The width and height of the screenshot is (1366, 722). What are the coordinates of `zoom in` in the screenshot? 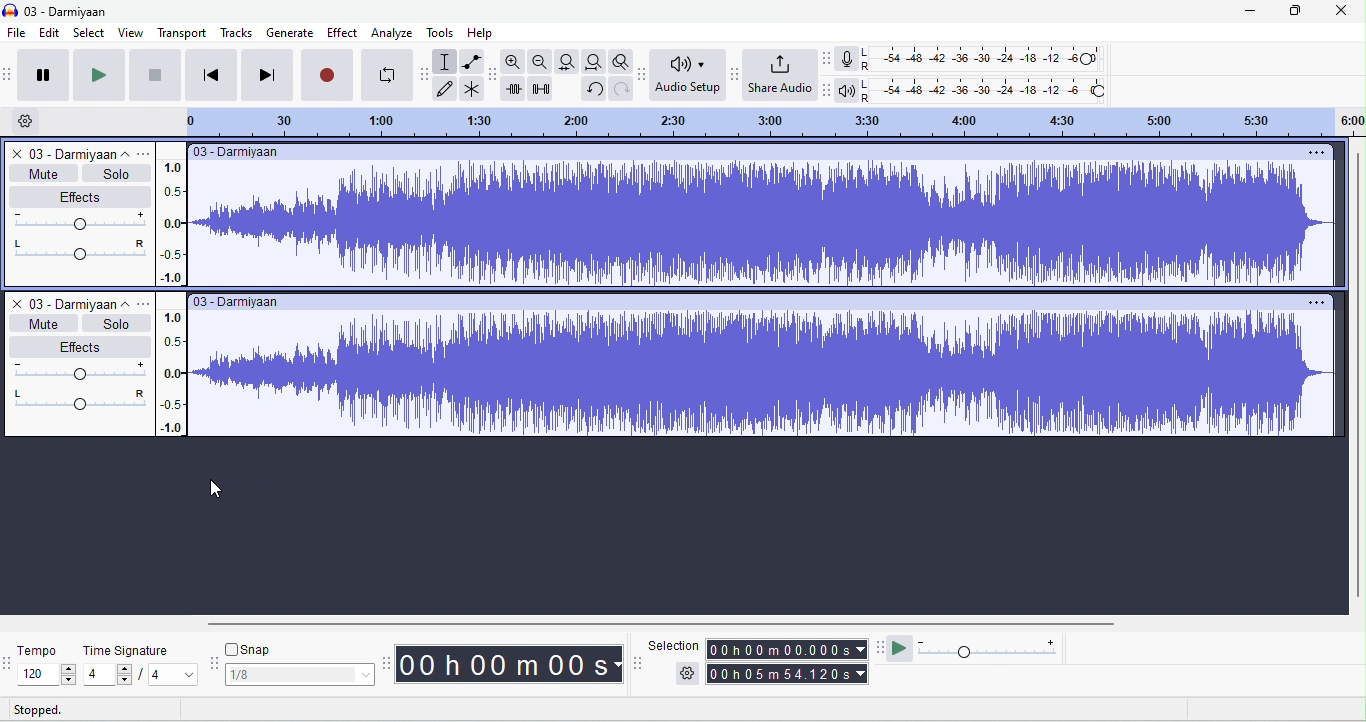 It's located at (512, 62).